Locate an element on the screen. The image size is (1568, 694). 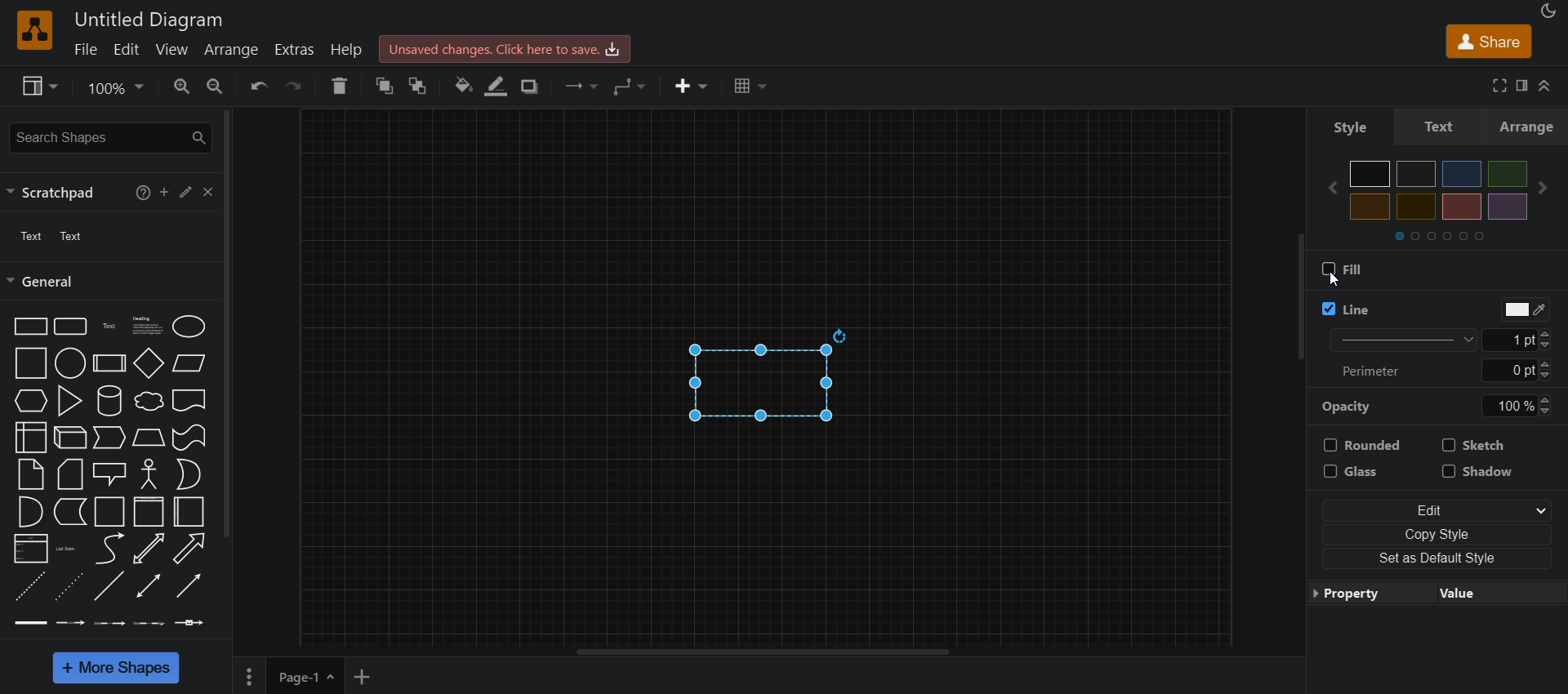
to front is located at coordinates (382, 85).